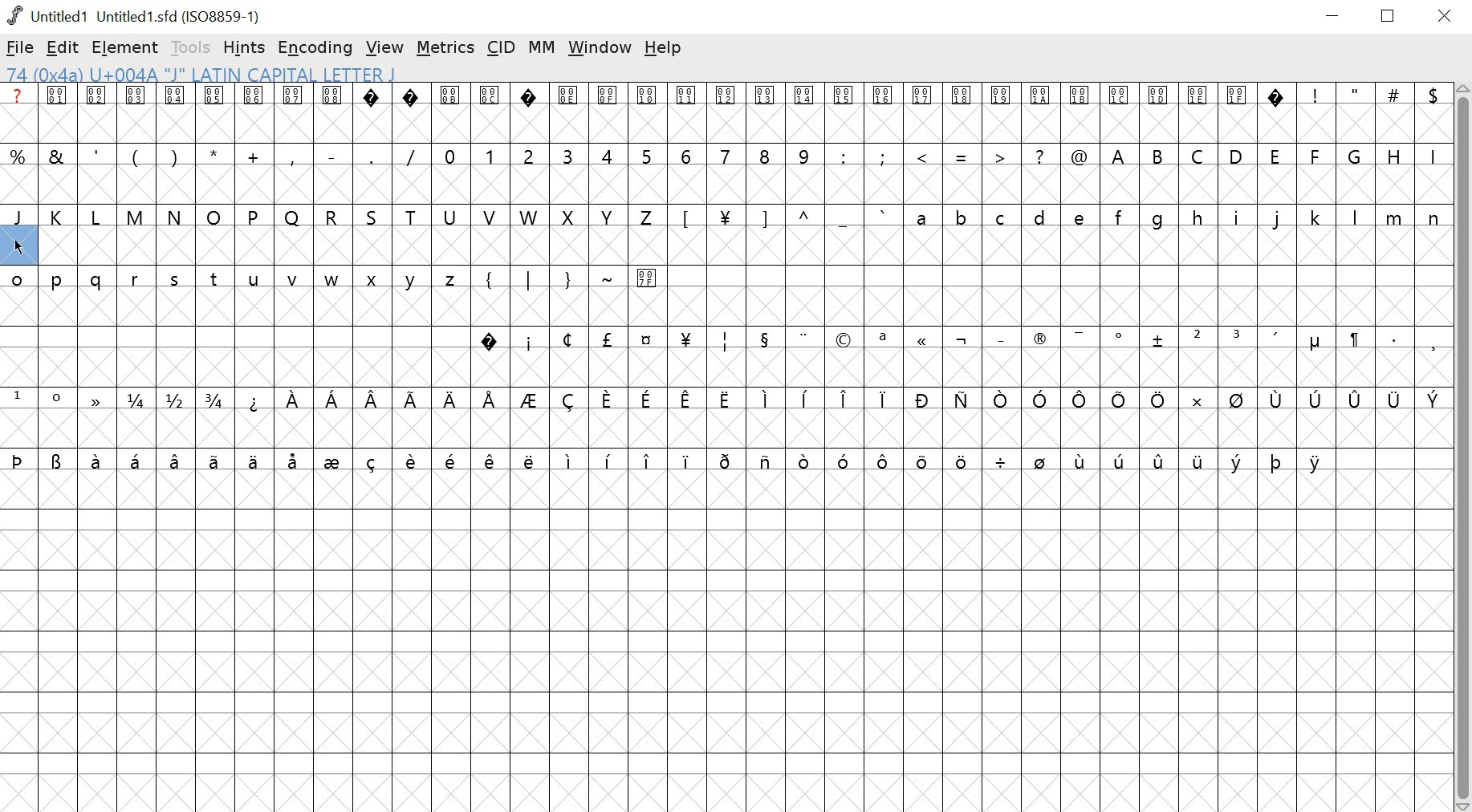  I want to click on help, so click(663, 48).